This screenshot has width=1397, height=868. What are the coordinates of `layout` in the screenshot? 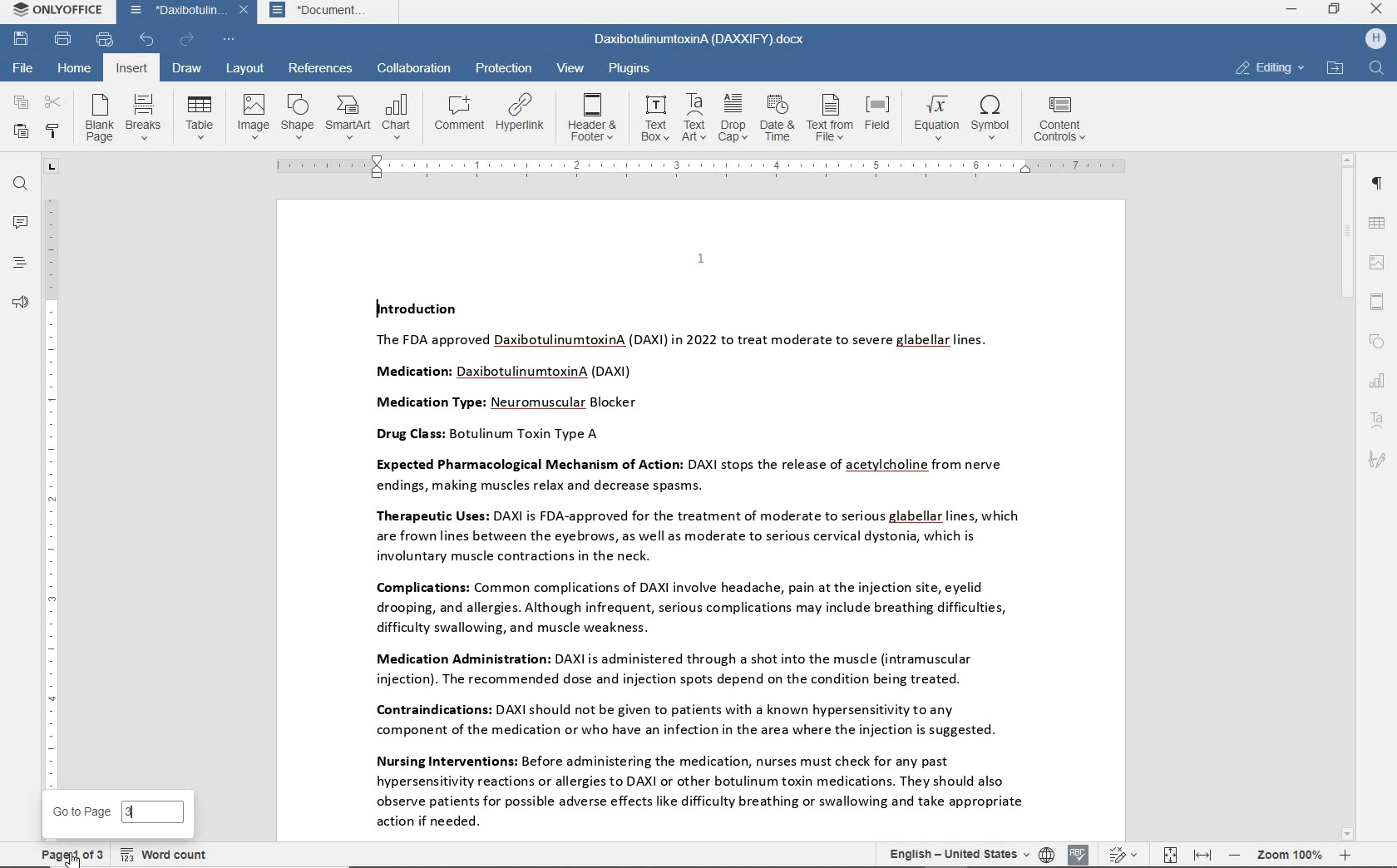 It's located at (244, 70).